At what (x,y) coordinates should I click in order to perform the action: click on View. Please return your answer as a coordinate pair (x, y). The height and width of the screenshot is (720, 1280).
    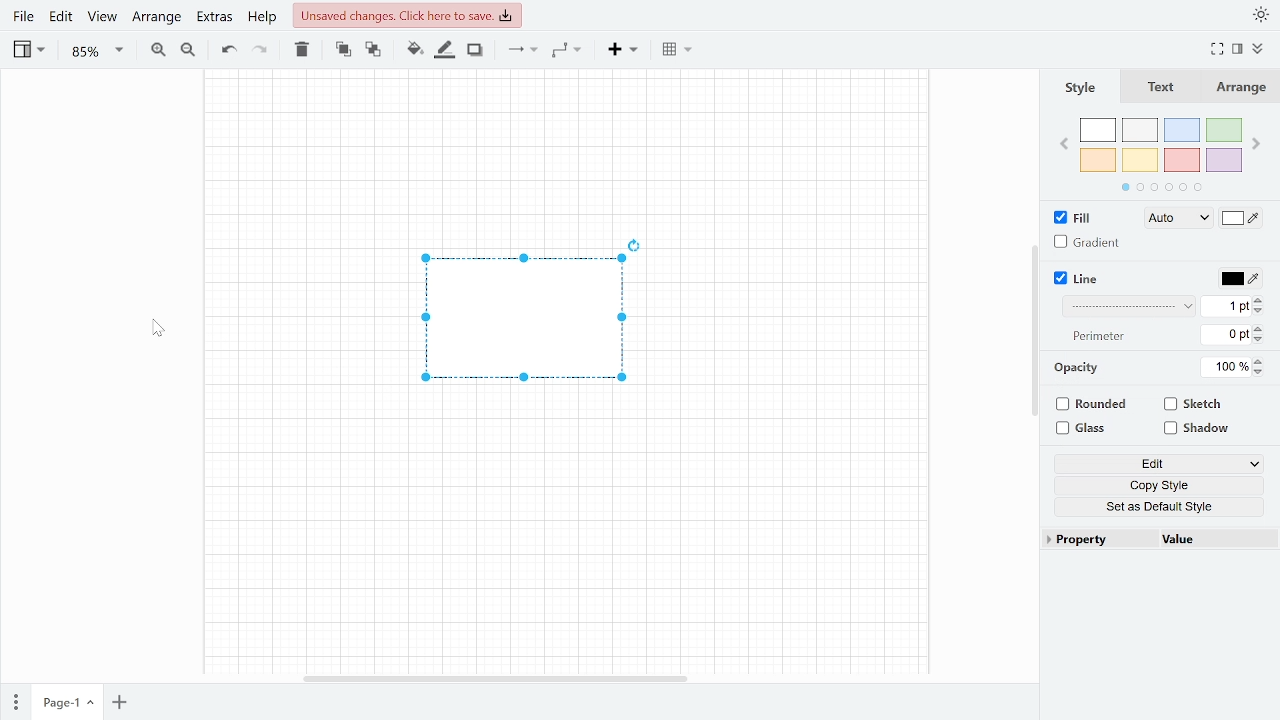
    Looking at the image, I should click on (102, 20).